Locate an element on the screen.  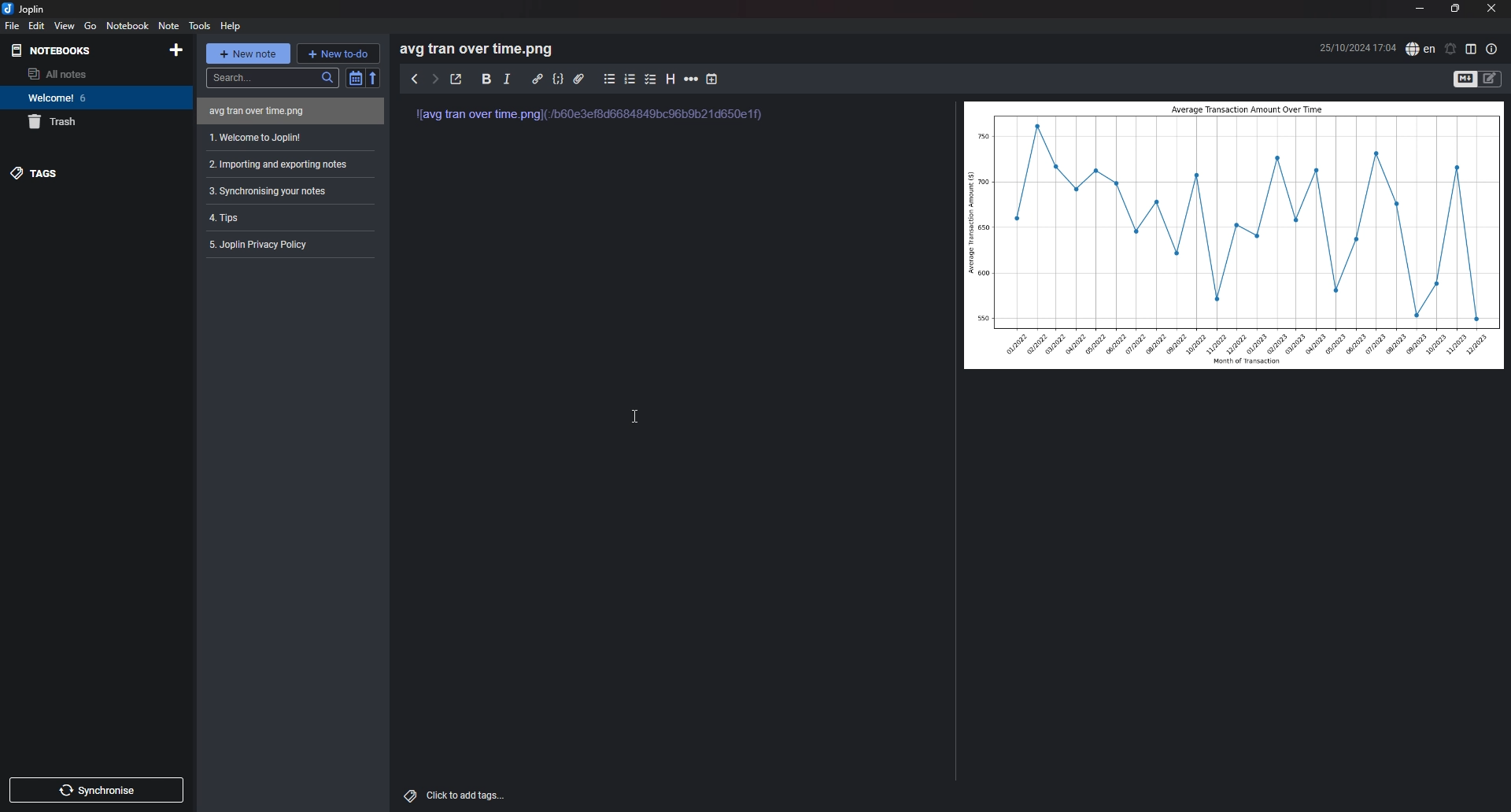
welcome is located at coordinates (91, 97).